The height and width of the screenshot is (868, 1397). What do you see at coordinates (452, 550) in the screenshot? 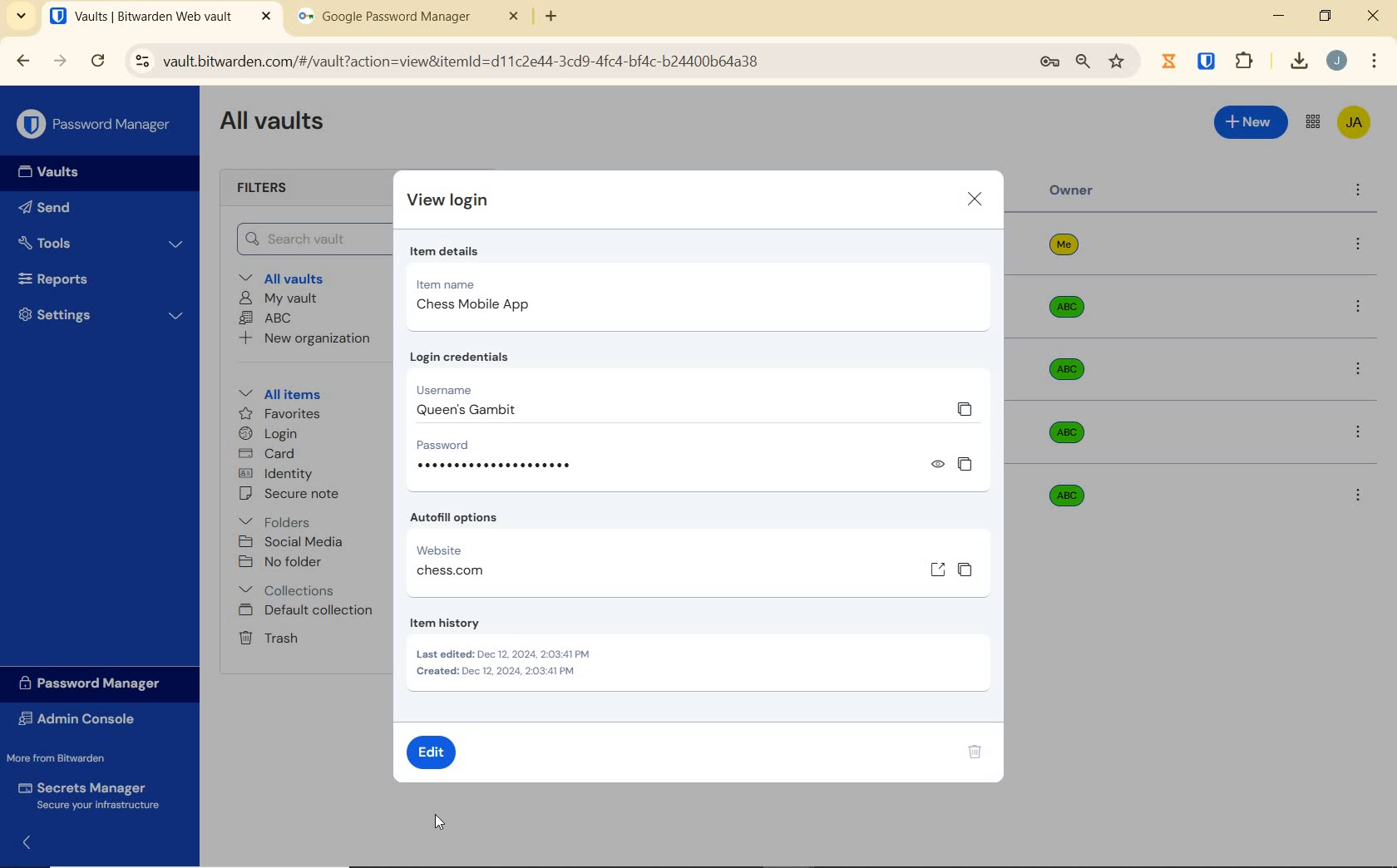
I see `website` at bounding box center [452, 550].